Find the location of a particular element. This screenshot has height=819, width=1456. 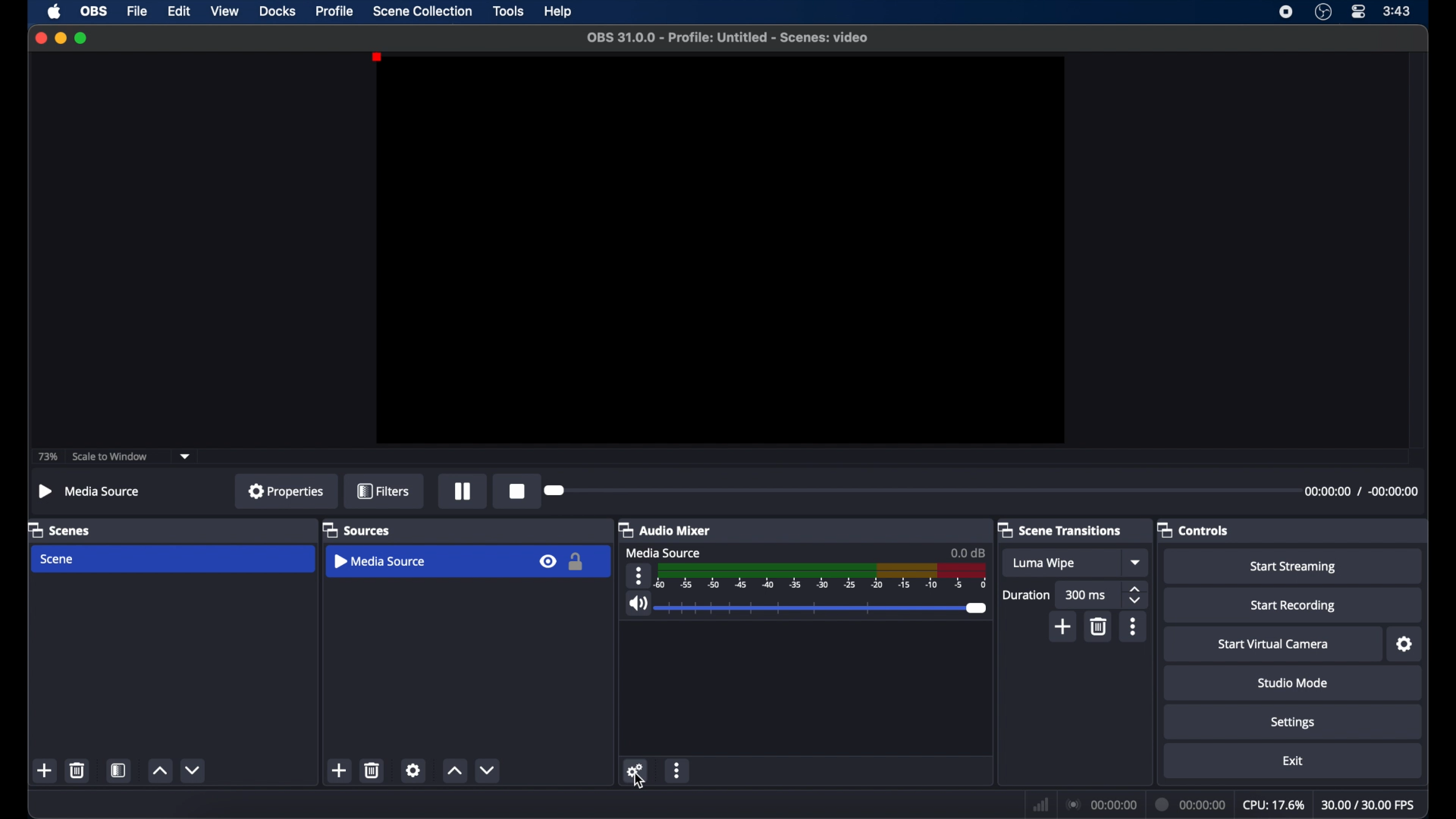

screen recorder icon is located at coordinates (1285, 11).